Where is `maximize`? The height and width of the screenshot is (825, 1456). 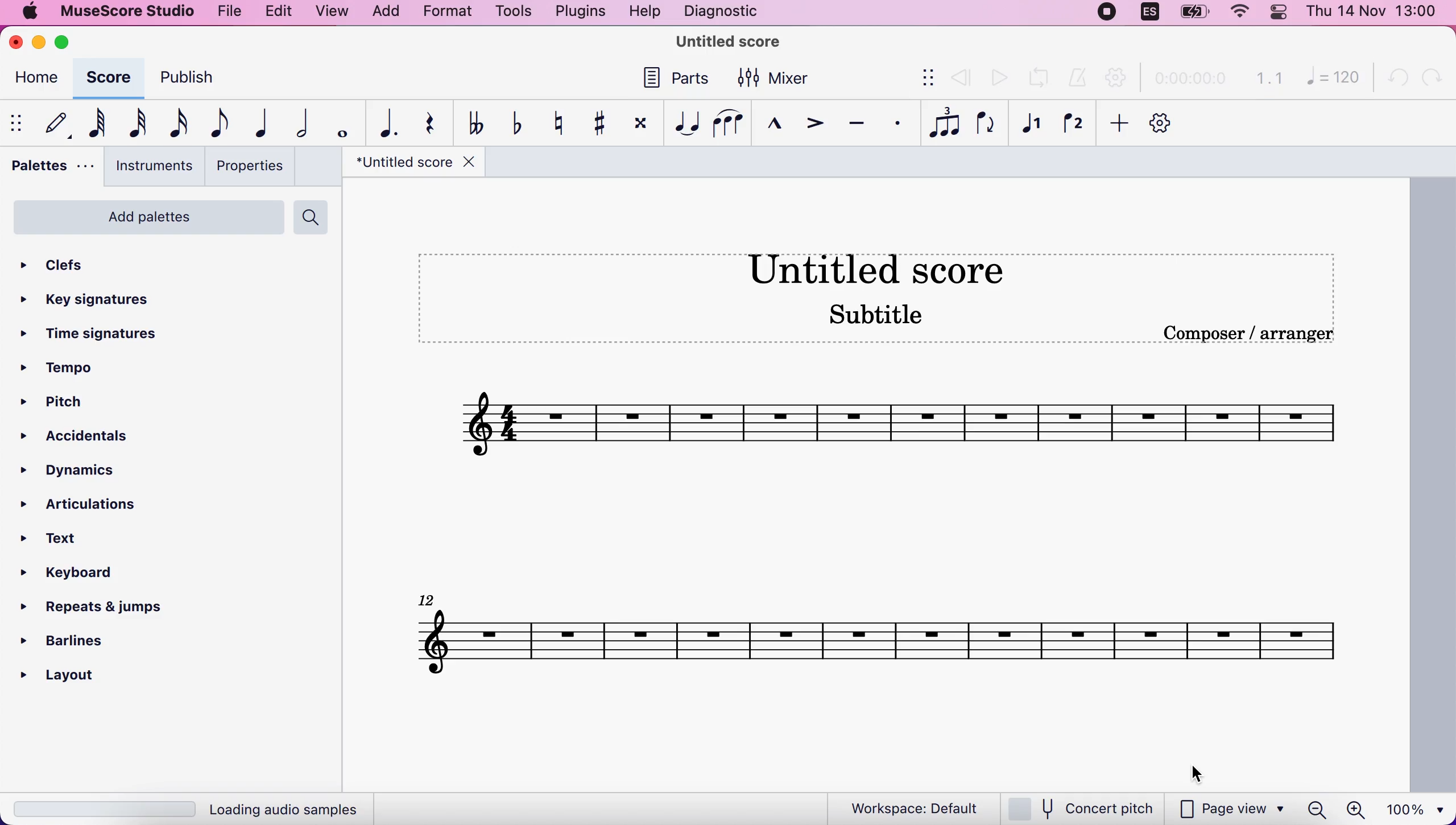
maximize is located at coordinates (75, 43).